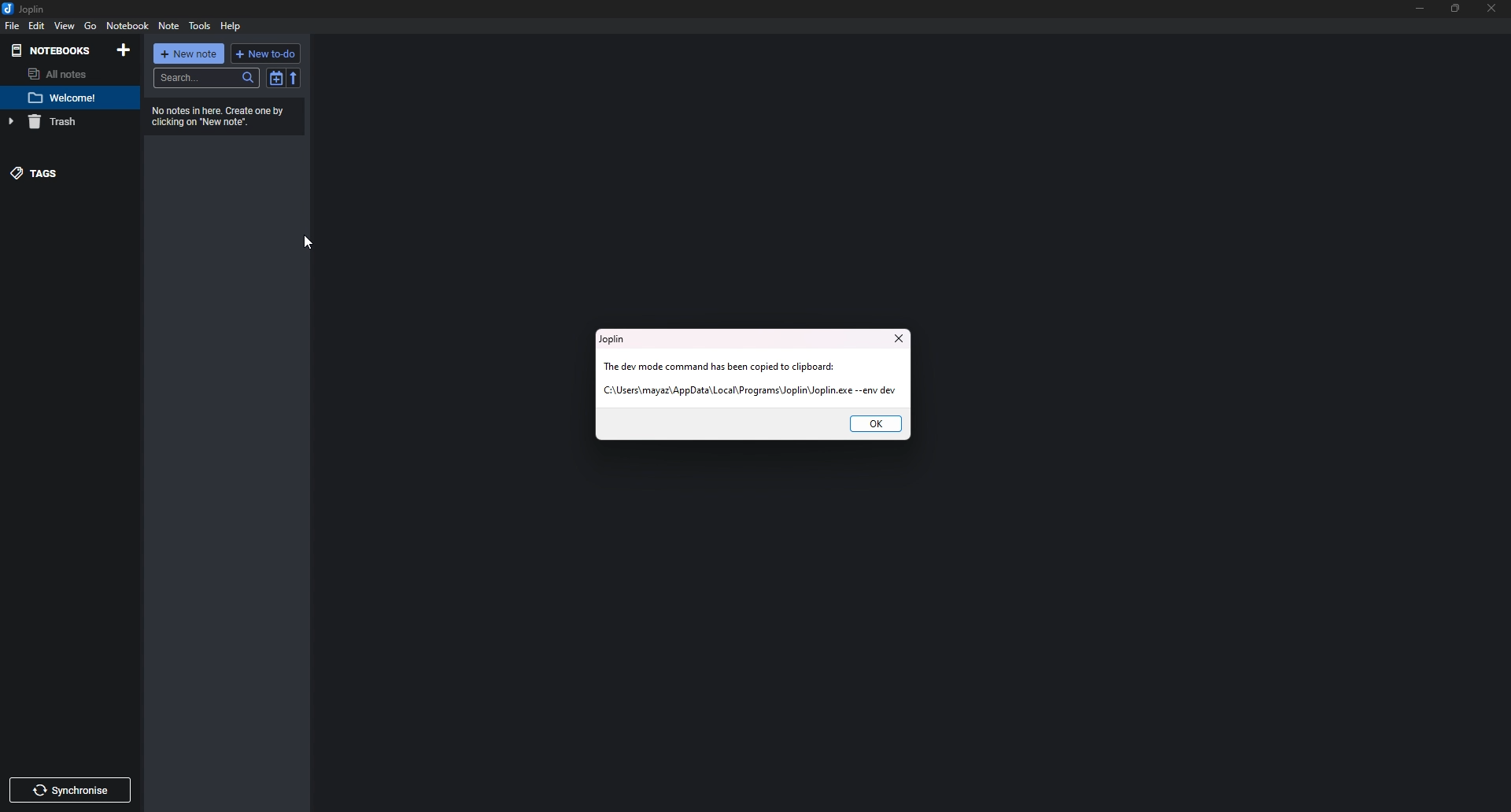  What do you see at coordinates (169, 26) in the screenshot?
I see `note` at bounding box center [169, 26].